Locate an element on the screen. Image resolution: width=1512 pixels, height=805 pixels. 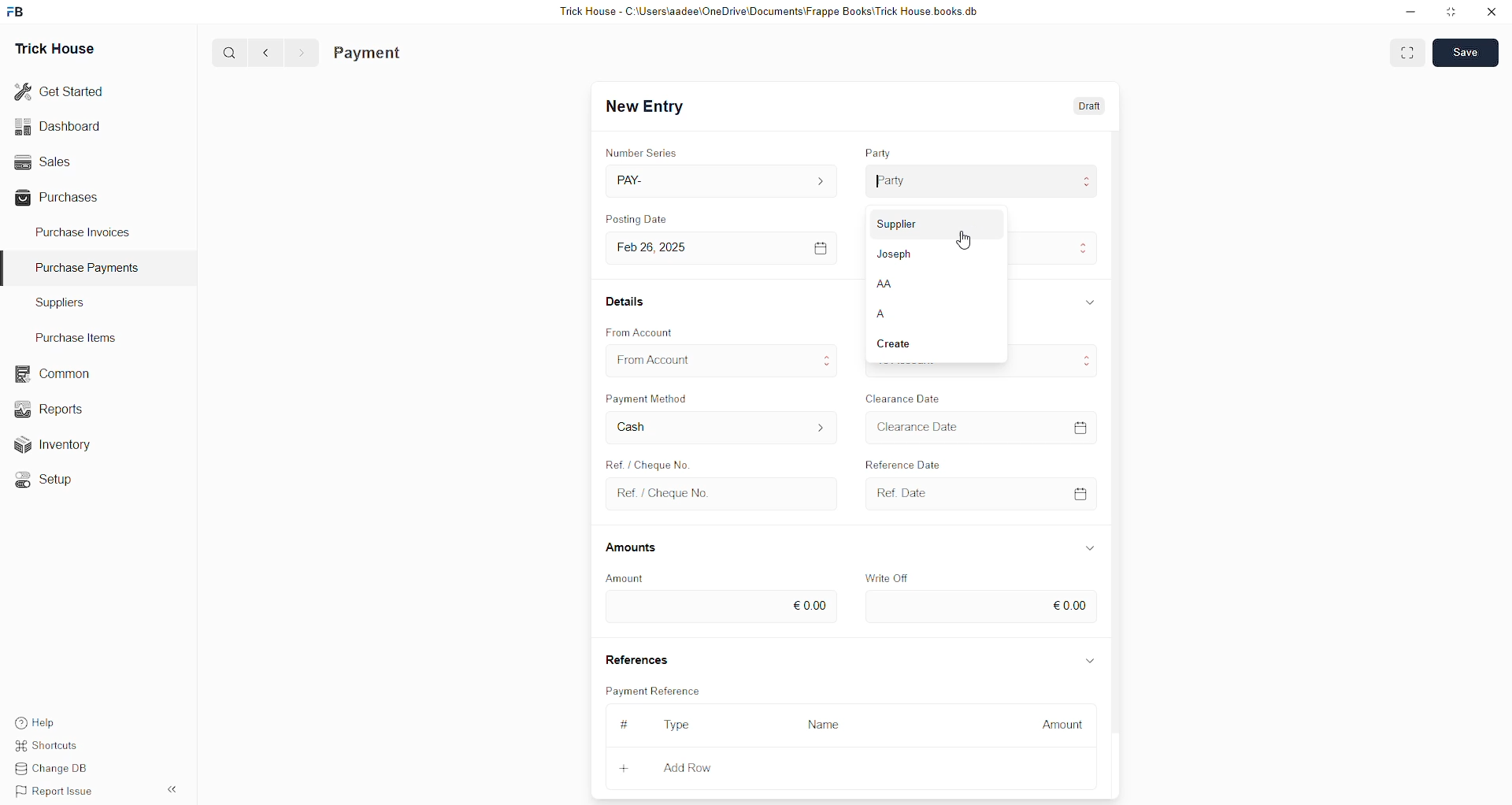
Reports is located at coordinates (50, 408).